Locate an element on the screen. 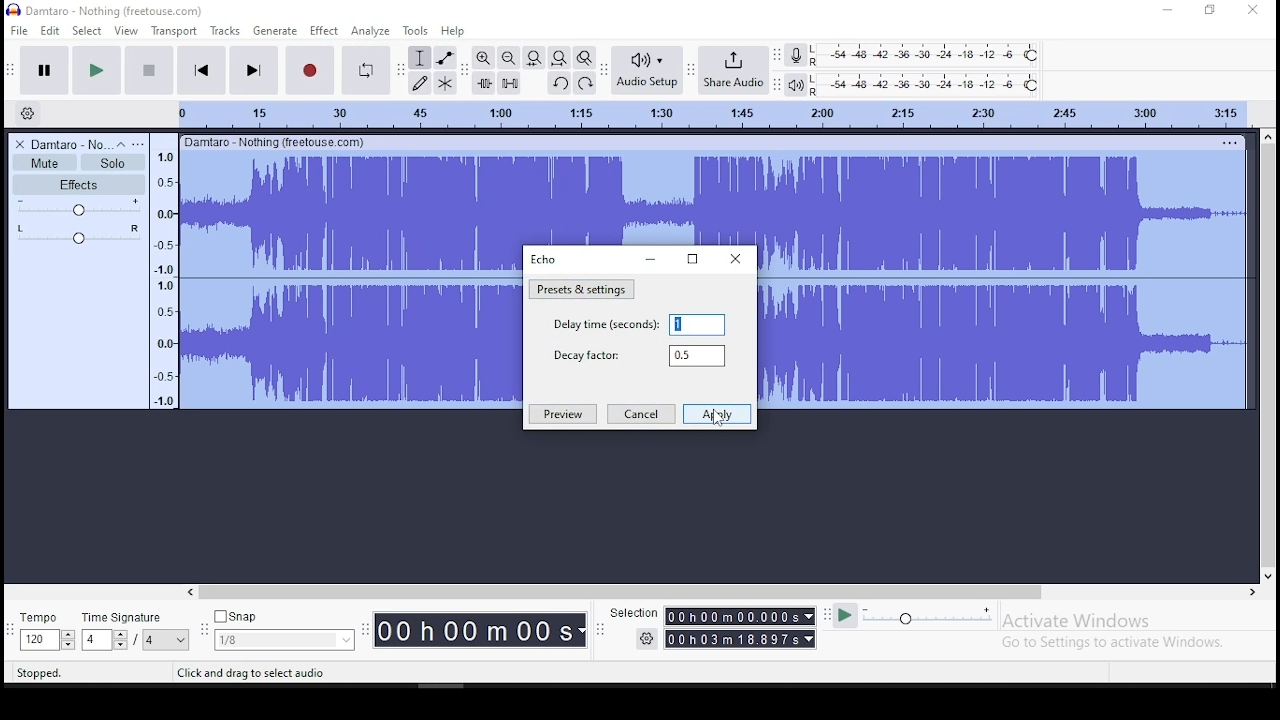 The height and width of the screenshot is (720, 1280). Drop down is located at coordinates (345, 638).